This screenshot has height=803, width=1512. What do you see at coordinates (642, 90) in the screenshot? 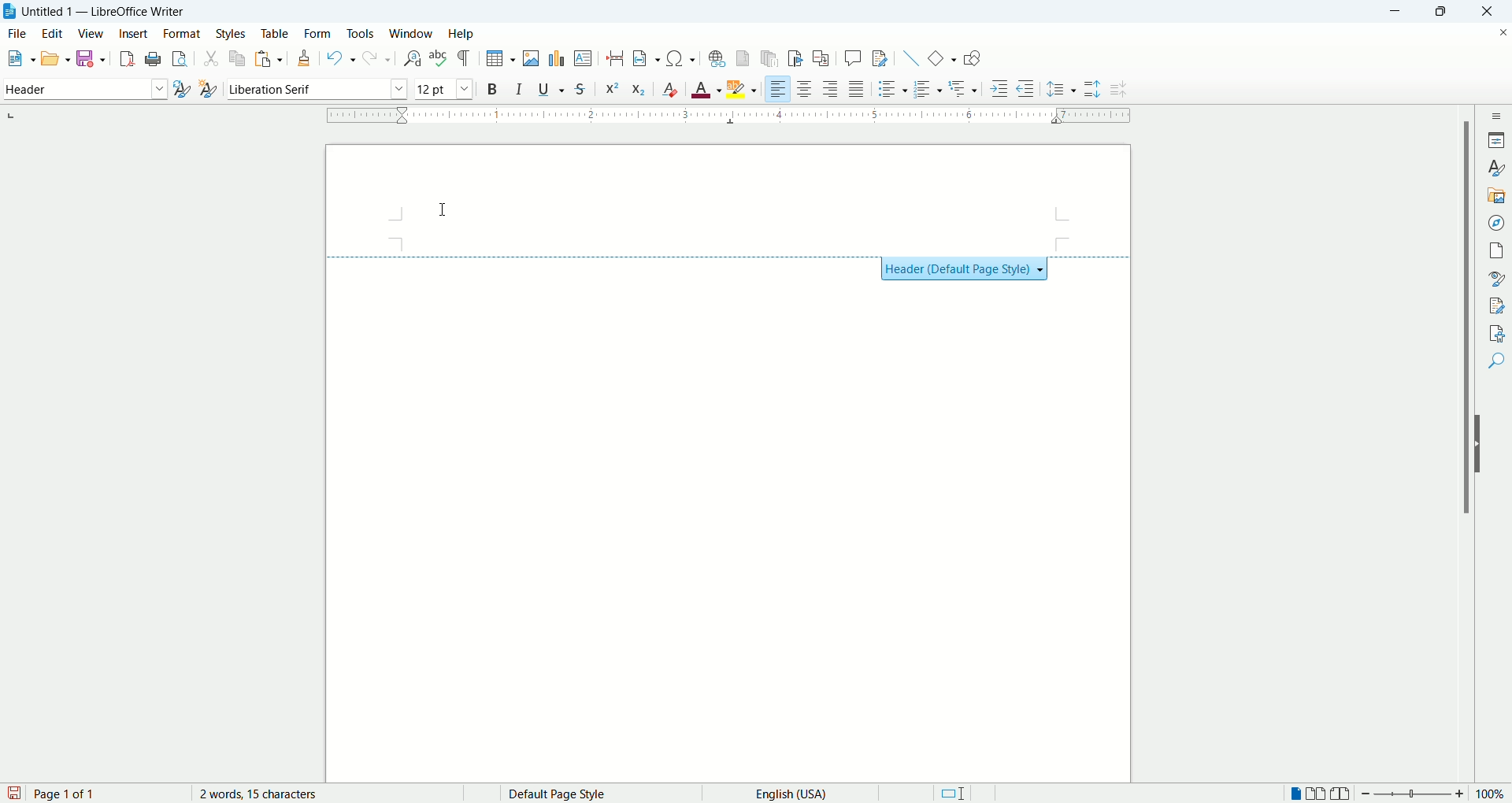
I see `subscript` at bounding box center [642, 90].